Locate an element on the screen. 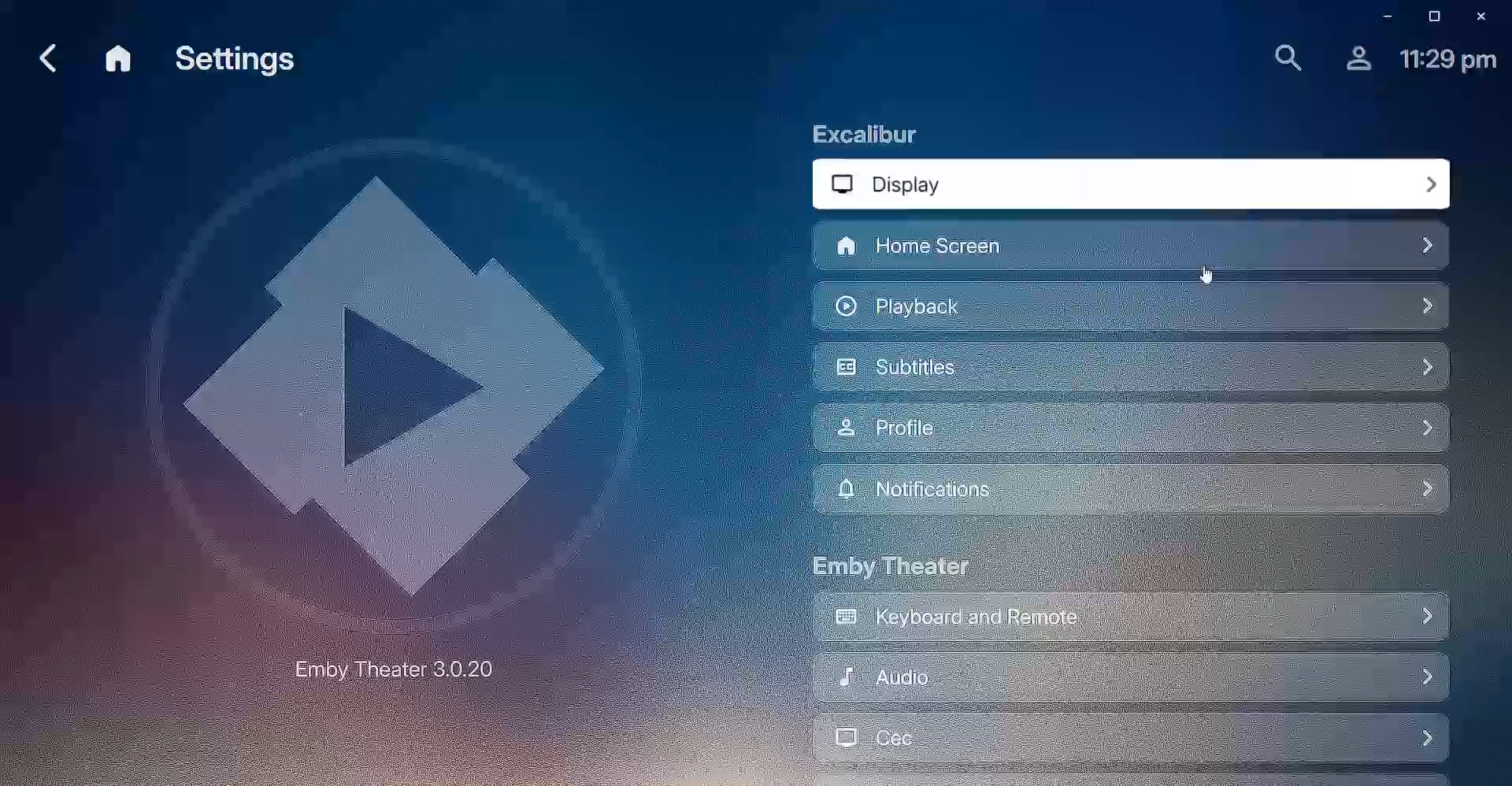 The height and width of the screenshot is (786, 1512). Profile is located at coordinates (1354, 64).